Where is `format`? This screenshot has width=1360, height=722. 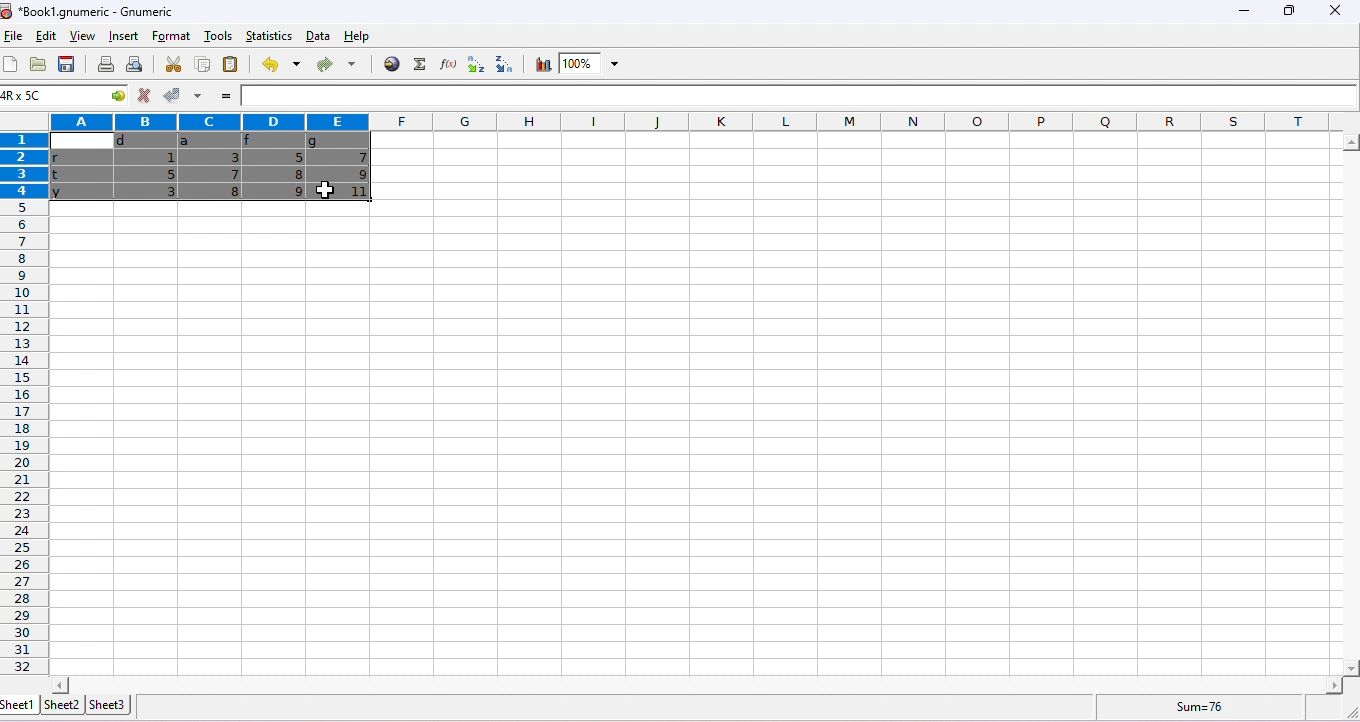 format is located at coordinates (173, 35).